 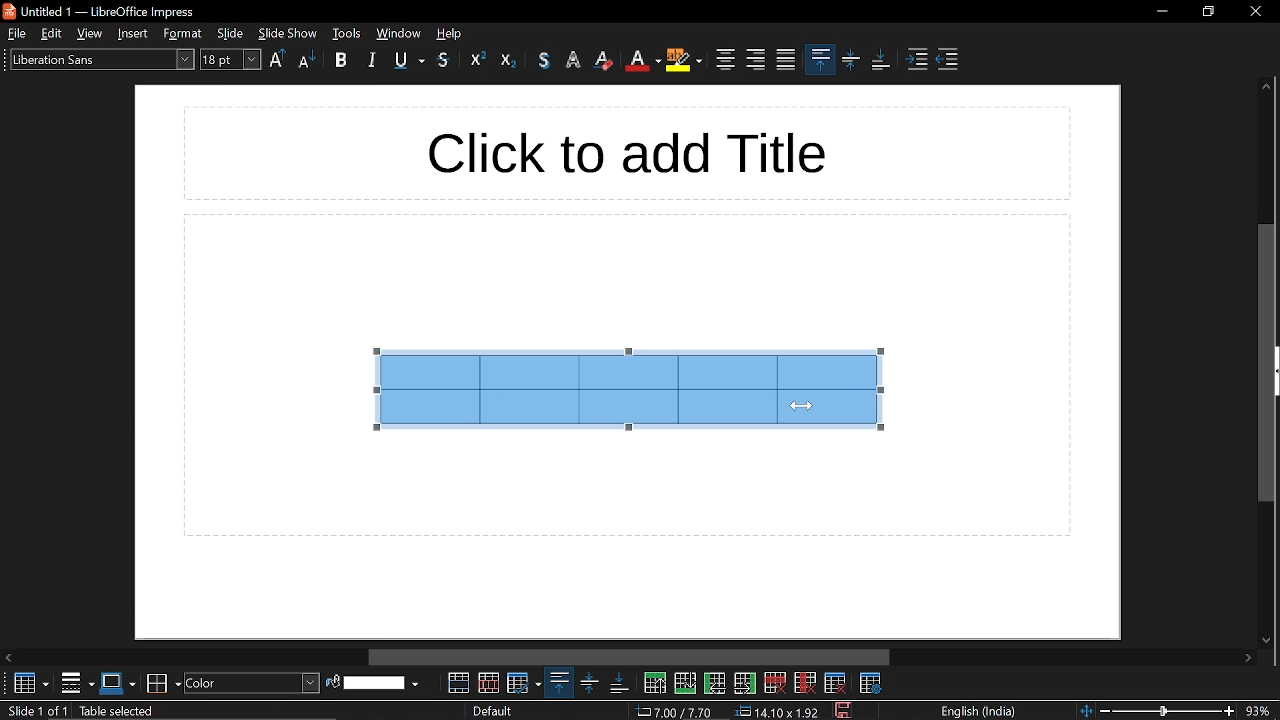 I want to click on optimize, so click(x=525, y=682).